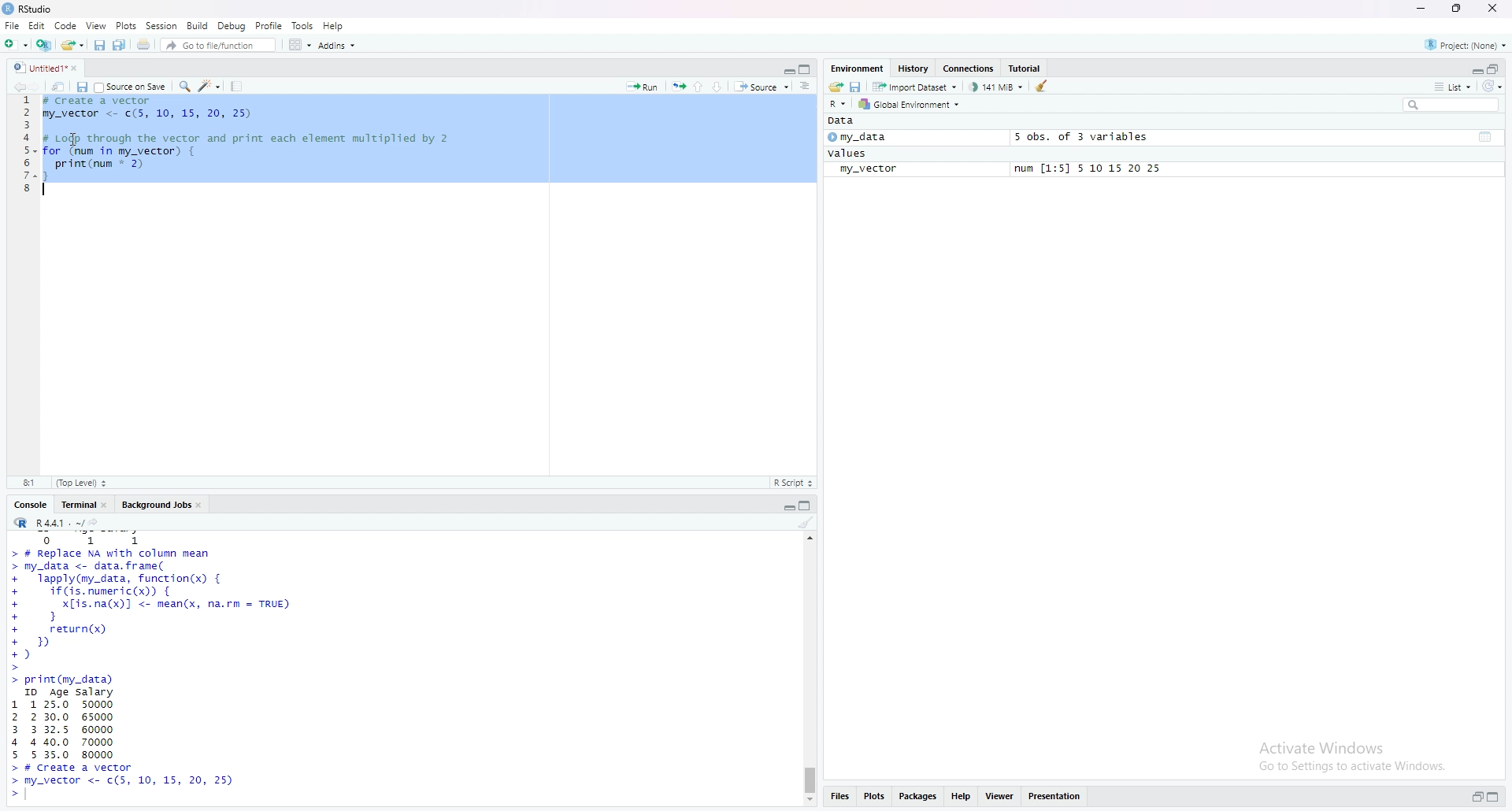  Describe the element at coordinates (1453, 88) in the screenshot. I see `list` at that location.